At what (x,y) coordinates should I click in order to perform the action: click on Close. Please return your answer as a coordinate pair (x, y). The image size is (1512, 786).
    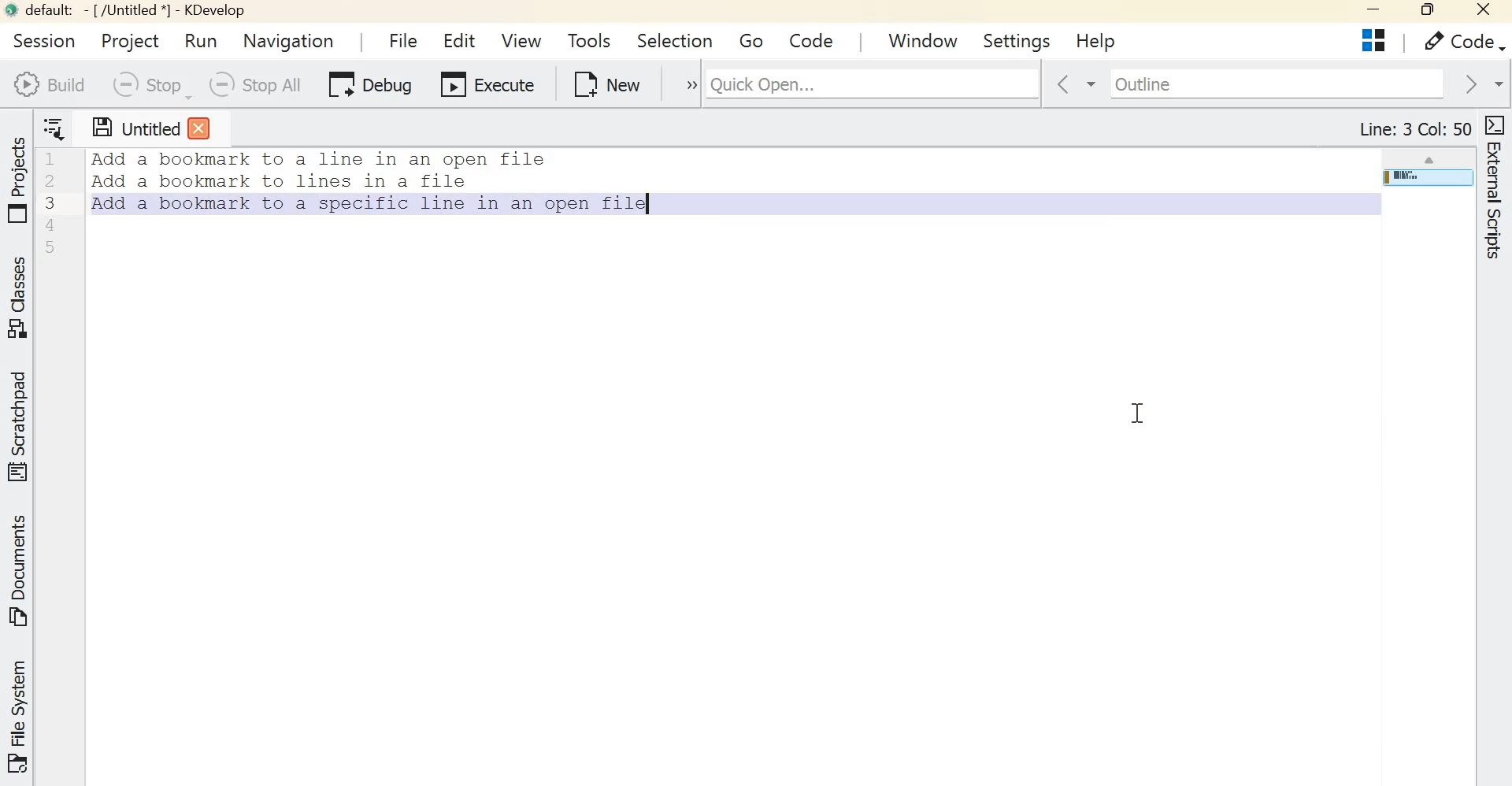
    Looking at the image, I should click on (1485, 12).